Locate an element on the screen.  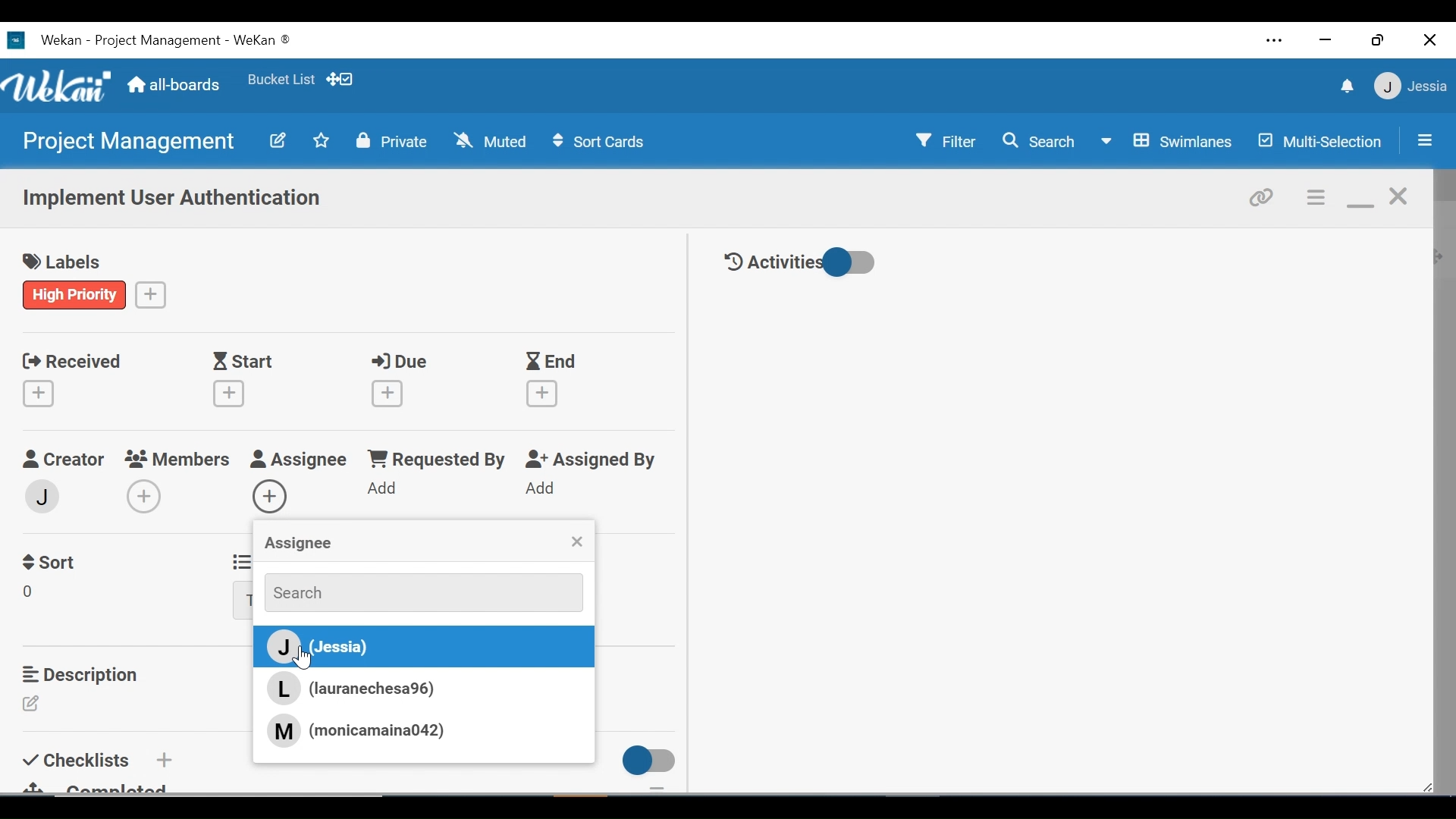
completed is located at coordinates (105, 786).